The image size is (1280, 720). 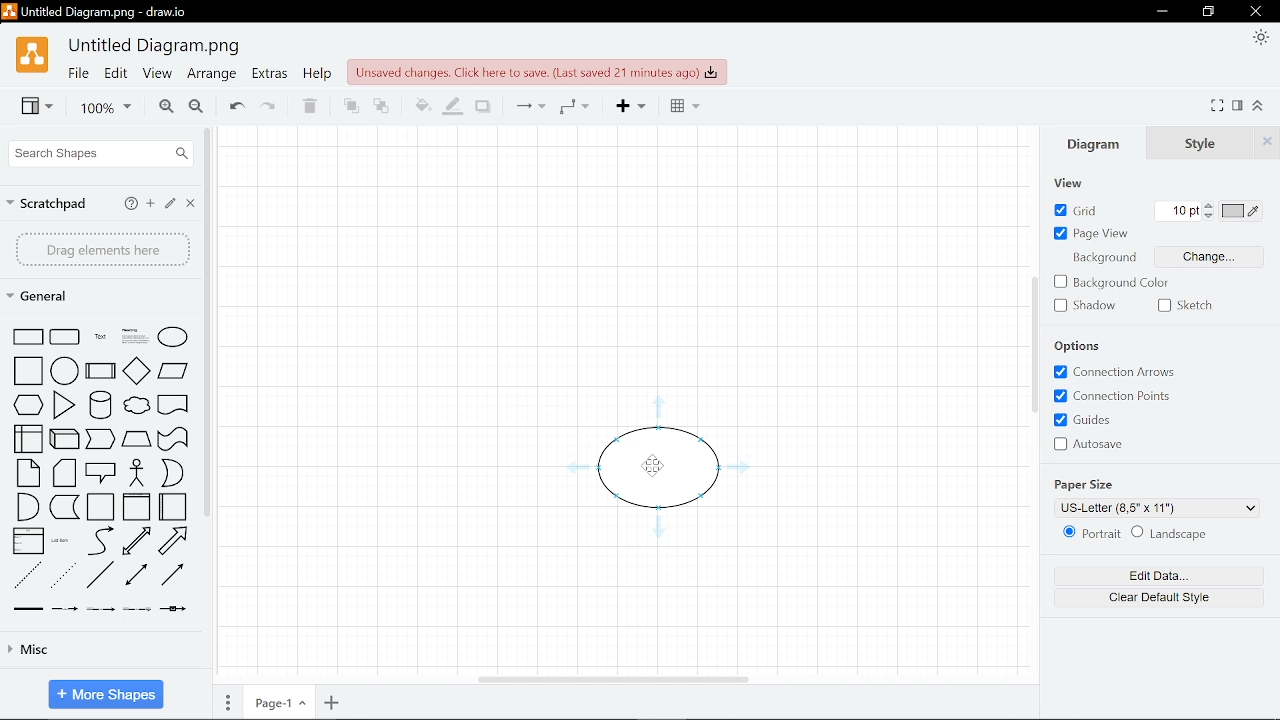 I want to click on Current diagram, so click(x=662, y=491).